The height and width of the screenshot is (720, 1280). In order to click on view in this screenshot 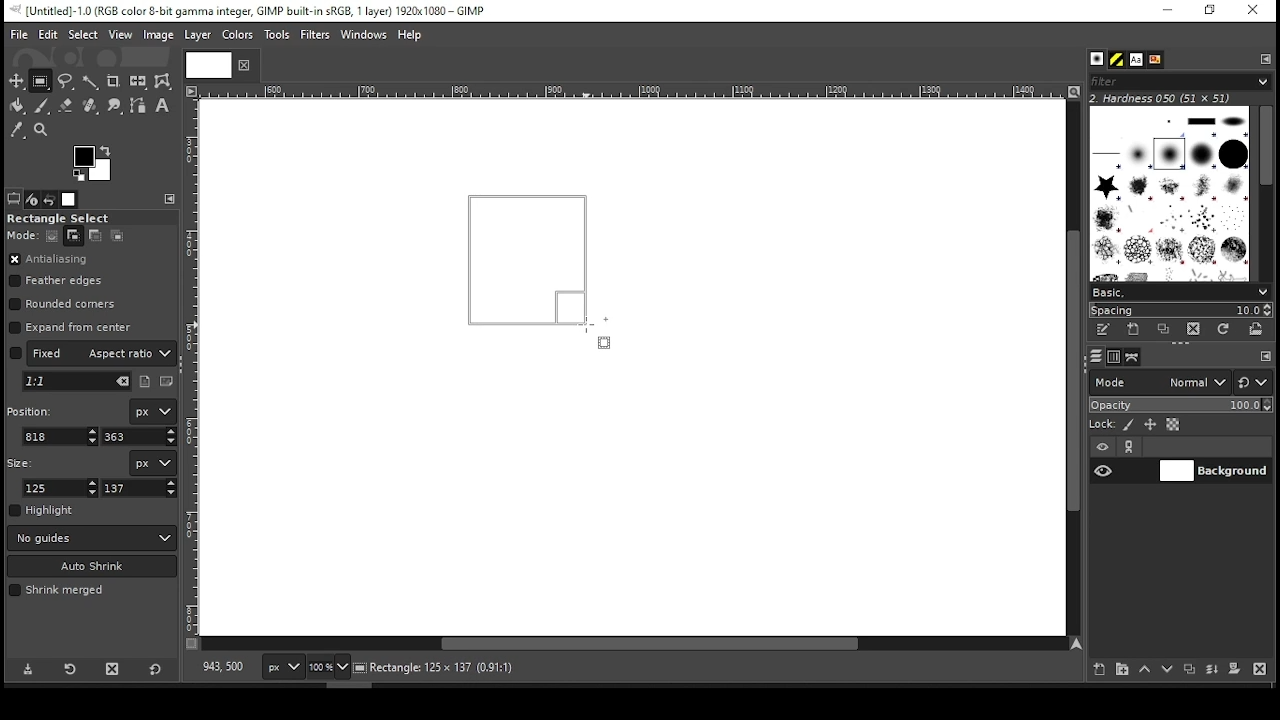, I will do `click(121, 36)`.